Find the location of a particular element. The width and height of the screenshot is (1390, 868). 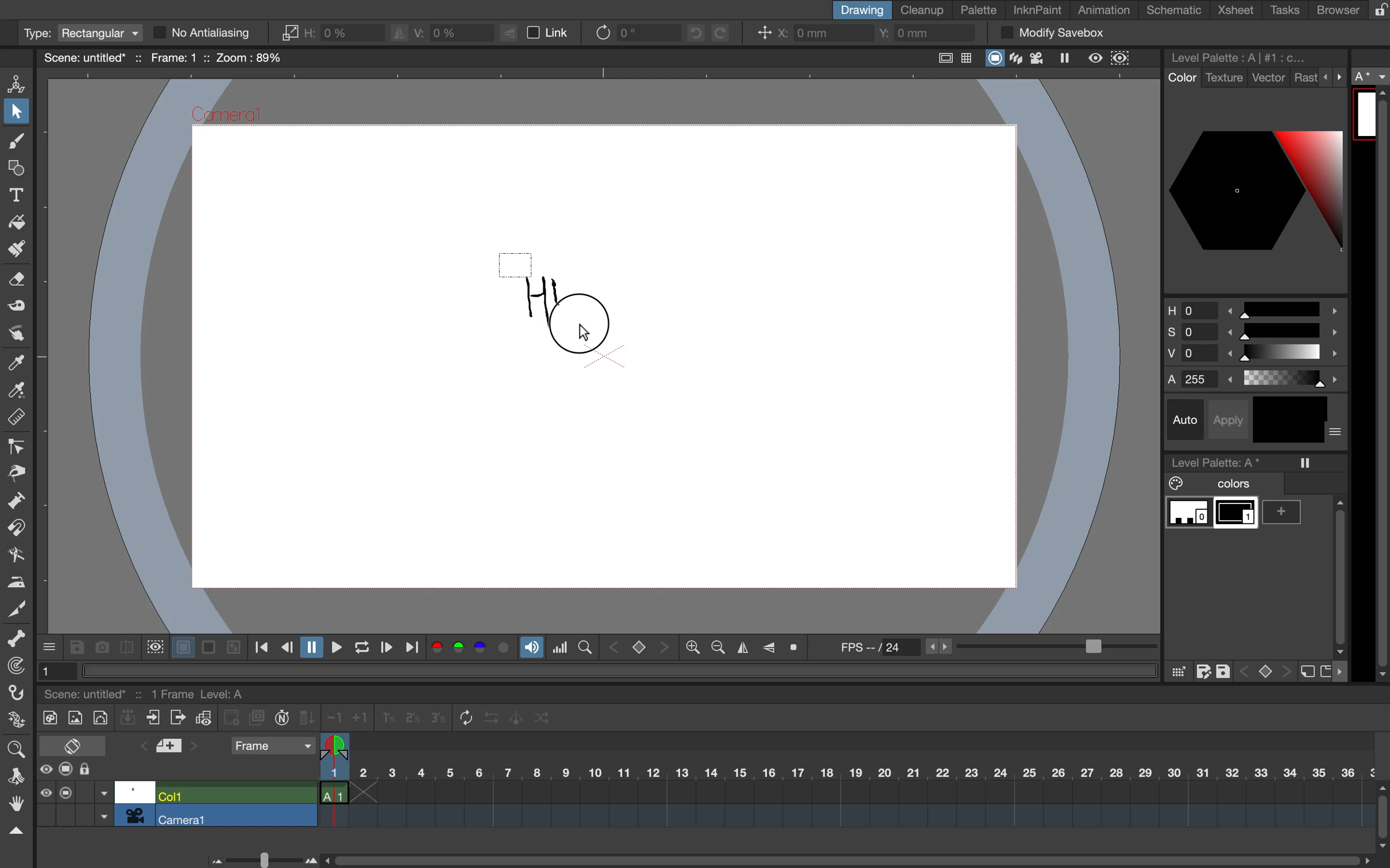

colors is located at coordinates (1217, 484).